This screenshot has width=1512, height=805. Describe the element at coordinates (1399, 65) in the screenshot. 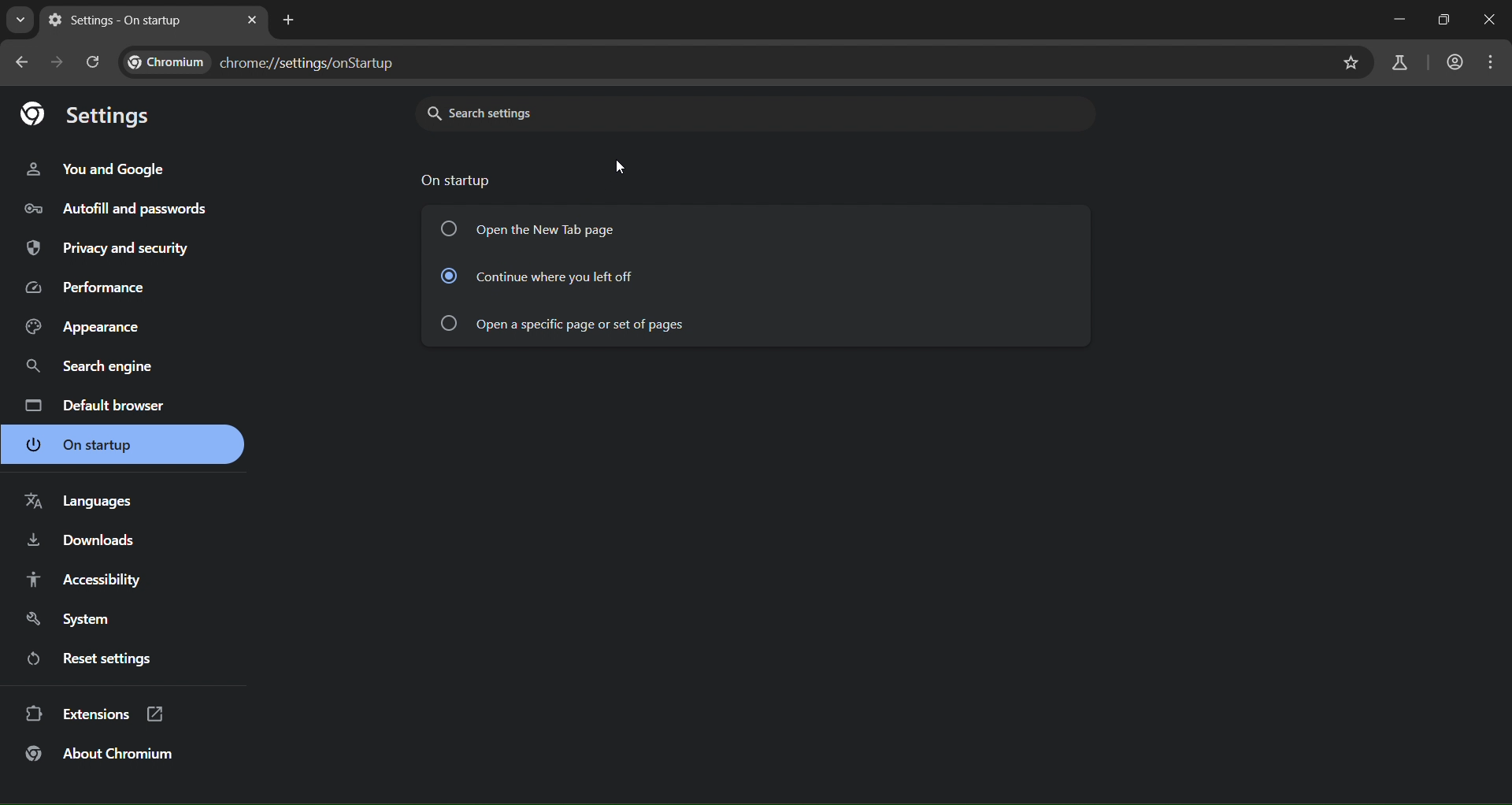

I see `search labs` at that location.